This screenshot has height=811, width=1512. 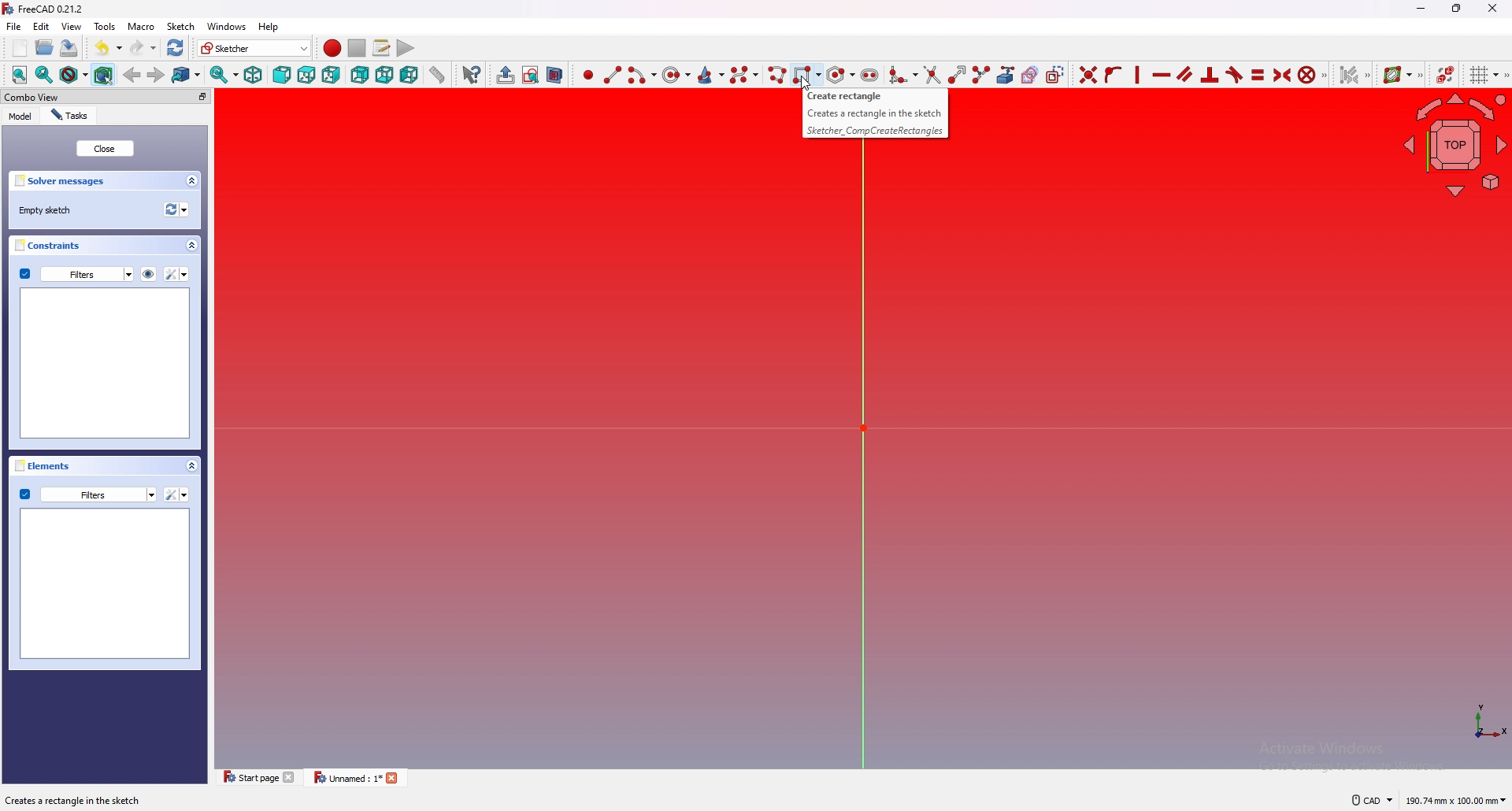 What do you see at coordinates (876, 131) in the screenshot?
I see `Sketcher_ CompCreateRectangles` at bounding box center [876, 131].